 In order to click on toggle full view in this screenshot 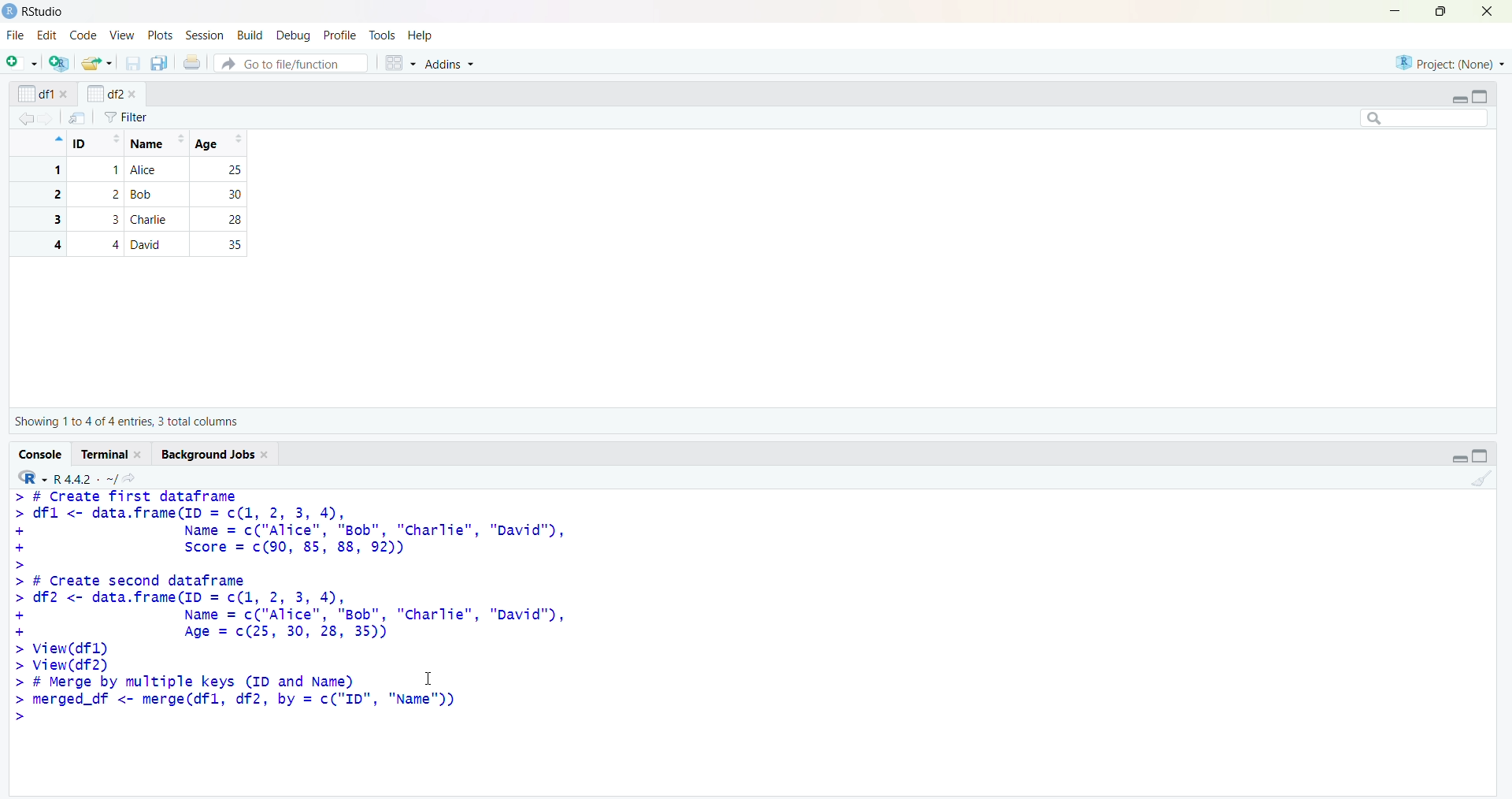, I will do `click(1479, 97)`.